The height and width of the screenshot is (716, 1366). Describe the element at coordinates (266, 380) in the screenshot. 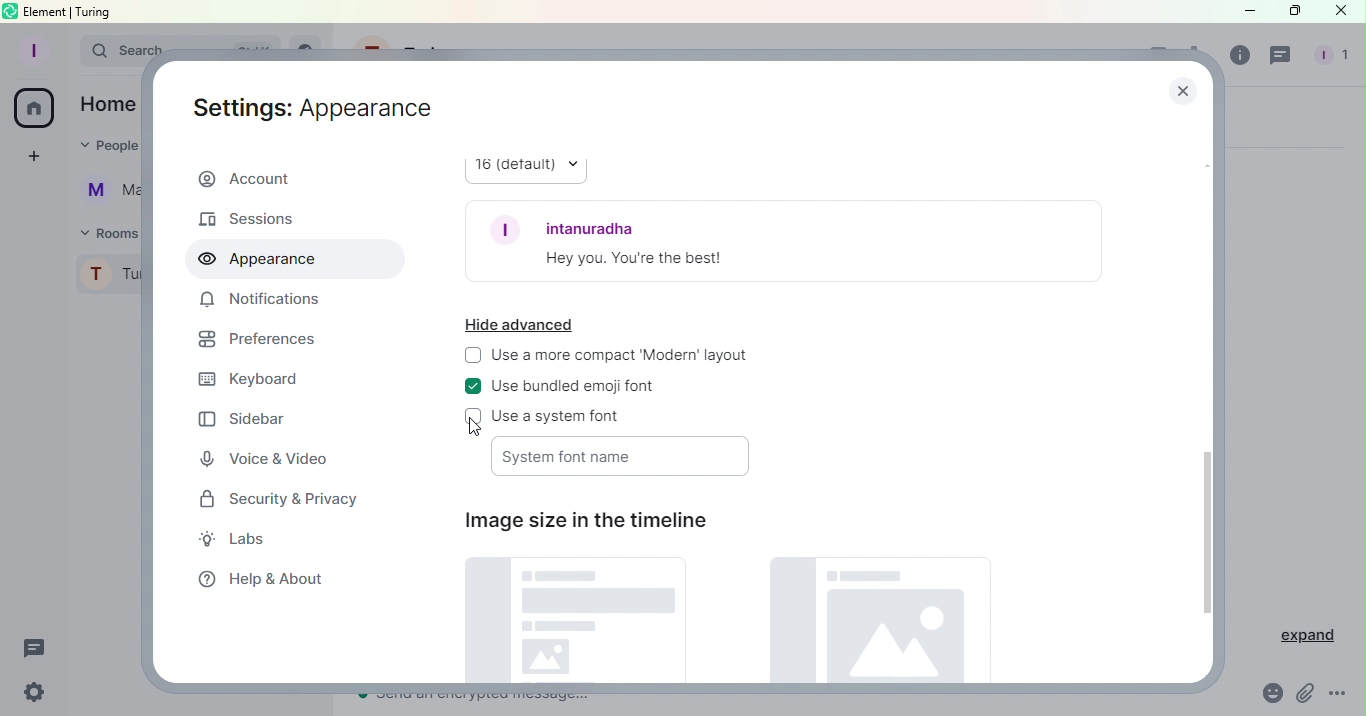

I see `Keyboard` at that location.